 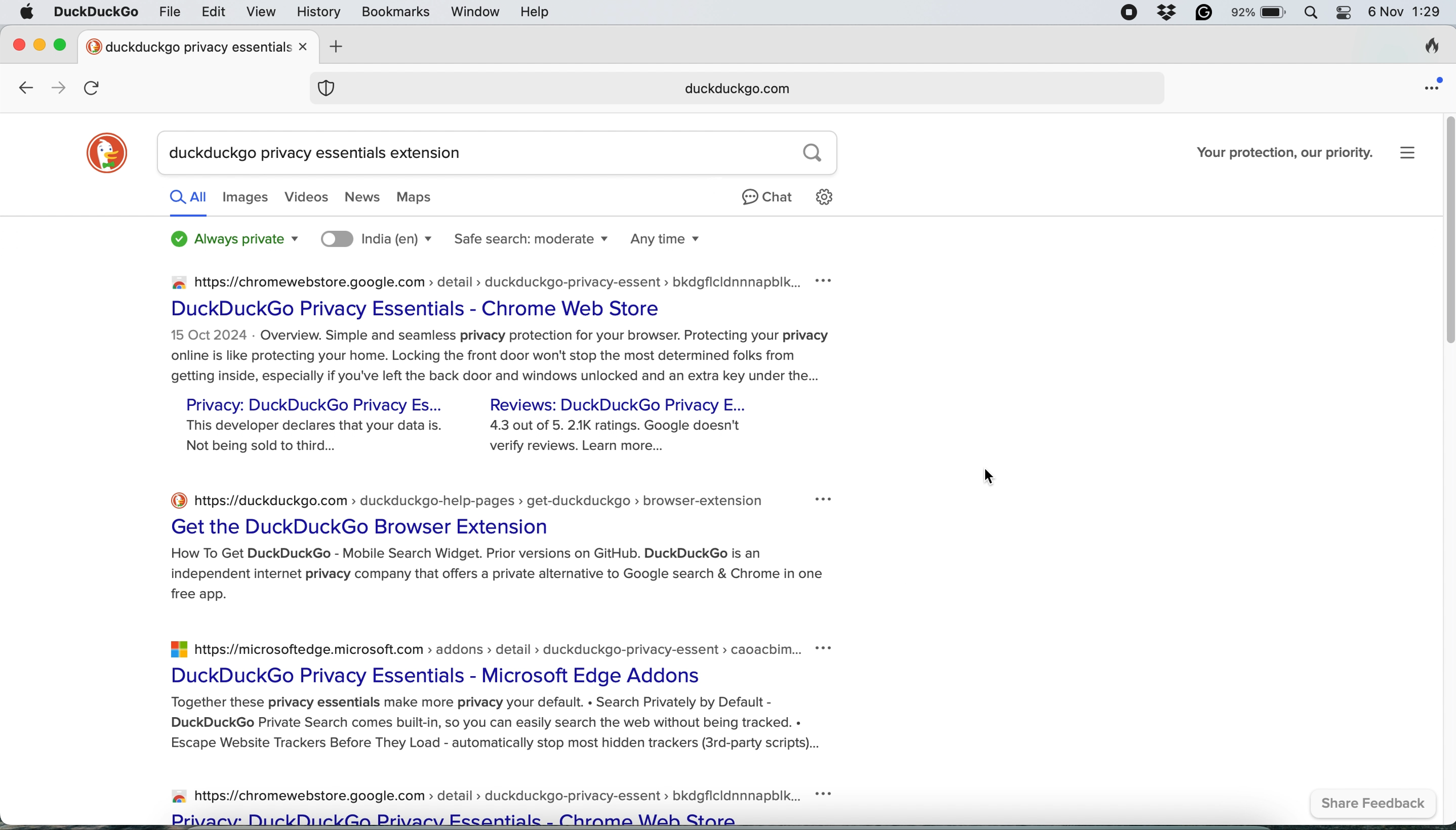 What do you see at coordinates (825, 792) in the screenshot?
I see `more` at bounding box center [825, 792].